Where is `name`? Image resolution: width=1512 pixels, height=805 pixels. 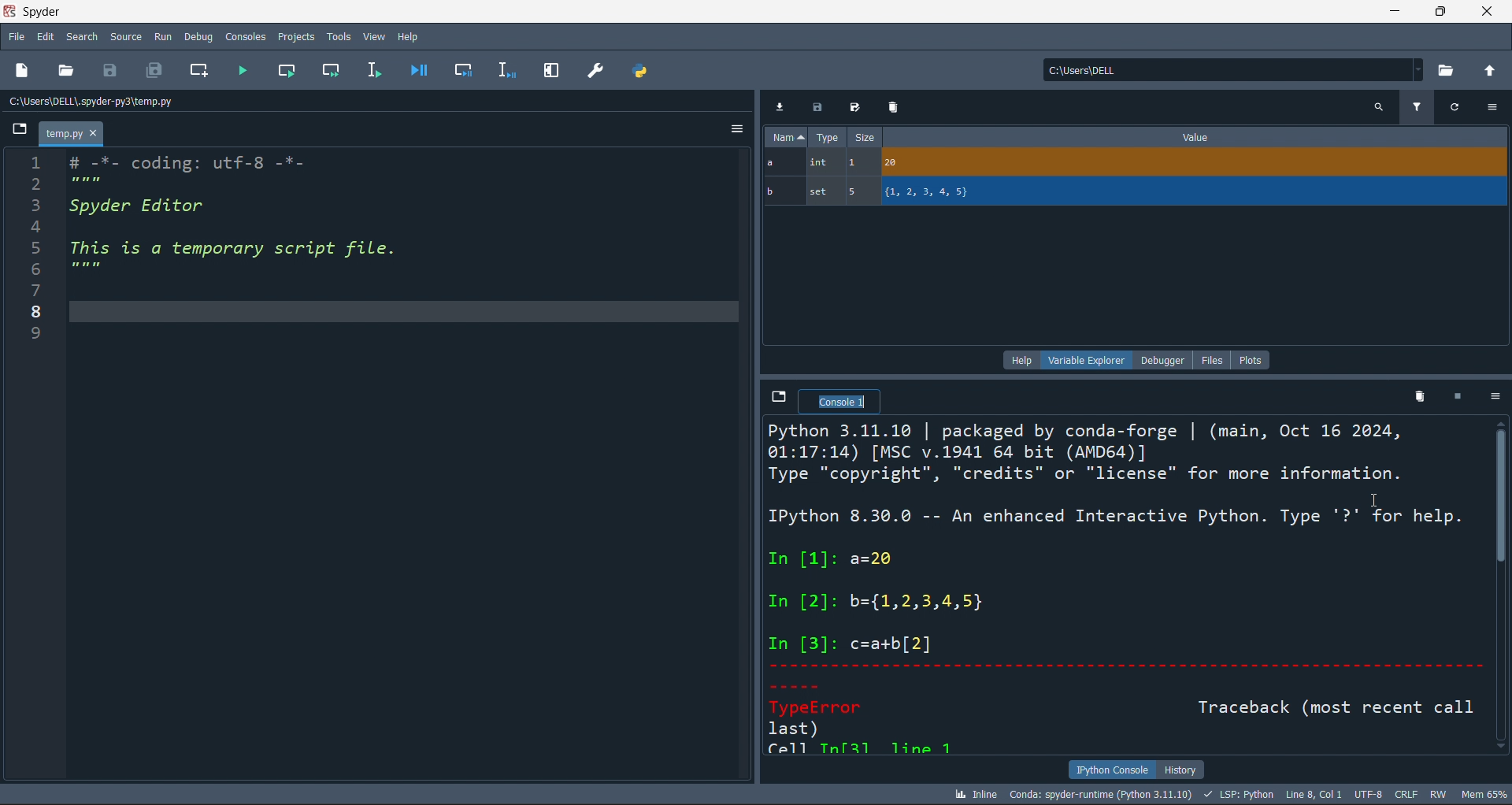
name is located at coordinates (784, 137).